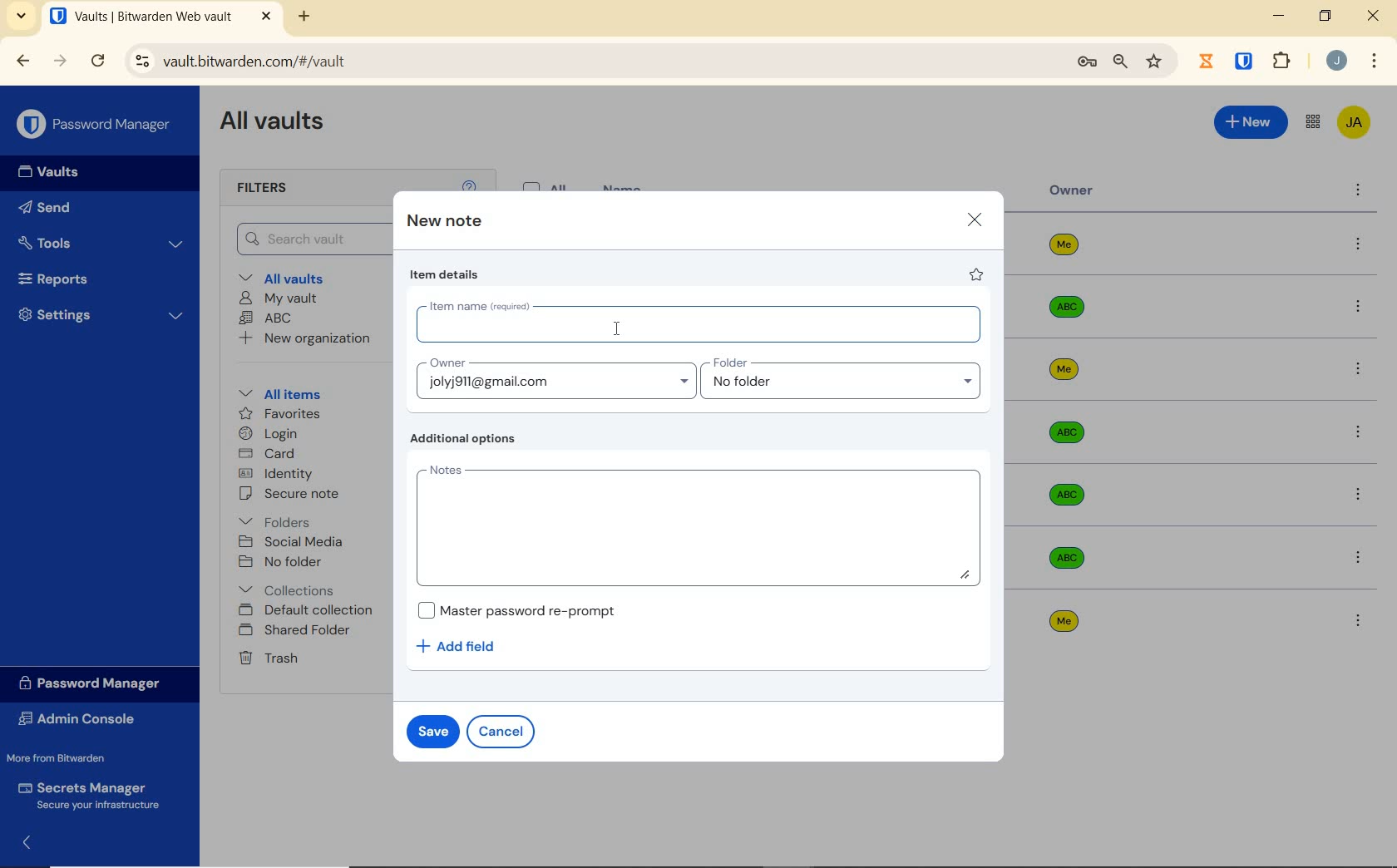 The image size is (1397, 868). What do you see at coordinates (1311, 122) in the screenshot?
I see `toggle between admin console and password manager` at bounding box center [1311, 122].